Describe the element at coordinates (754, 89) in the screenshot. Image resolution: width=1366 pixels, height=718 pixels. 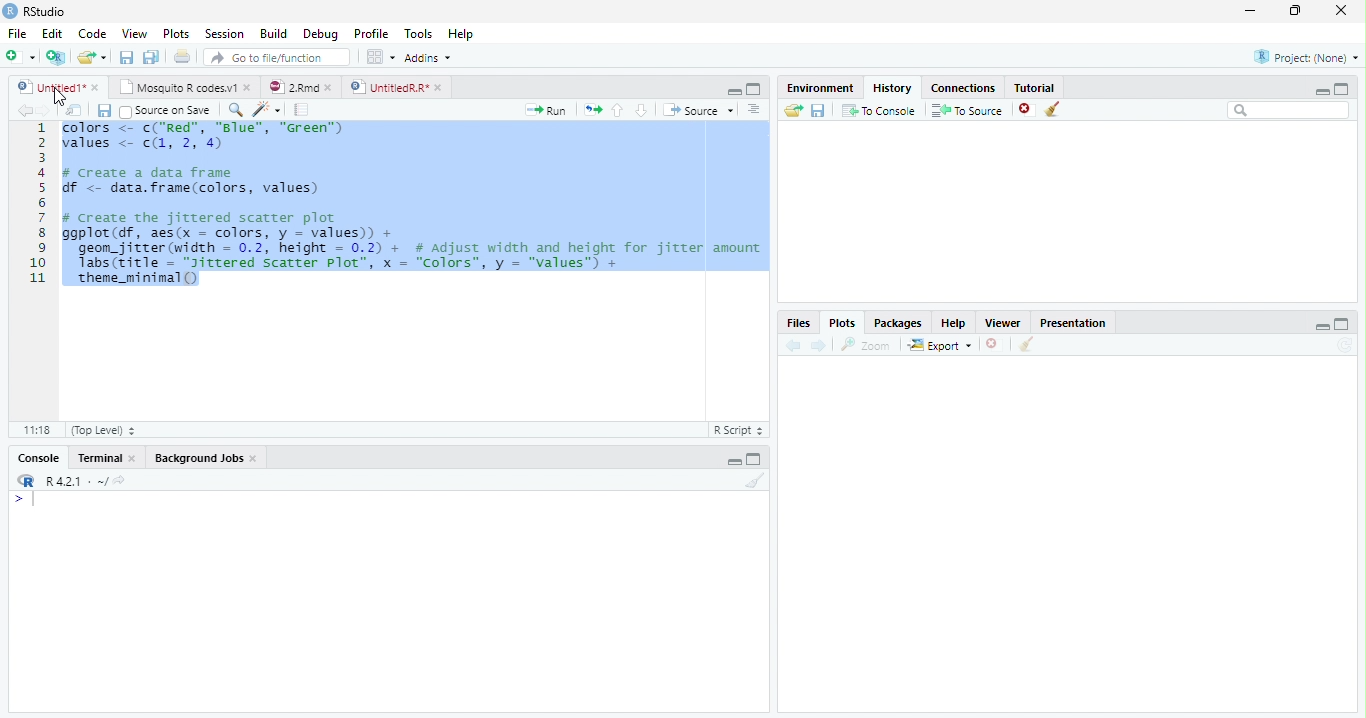
I see `Maximize` at that location.